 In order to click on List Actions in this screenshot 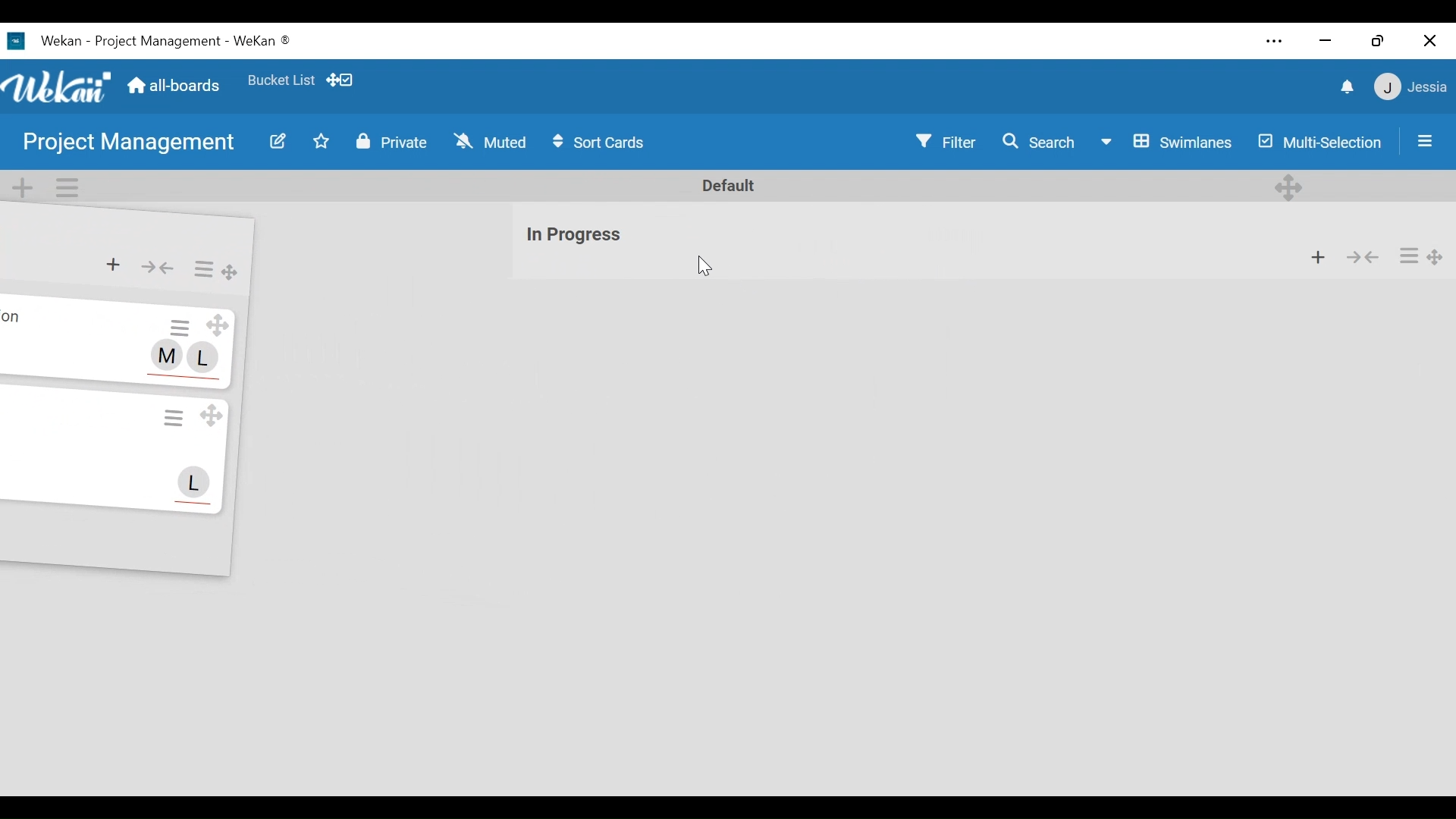, I will do `click(203, 271)`.